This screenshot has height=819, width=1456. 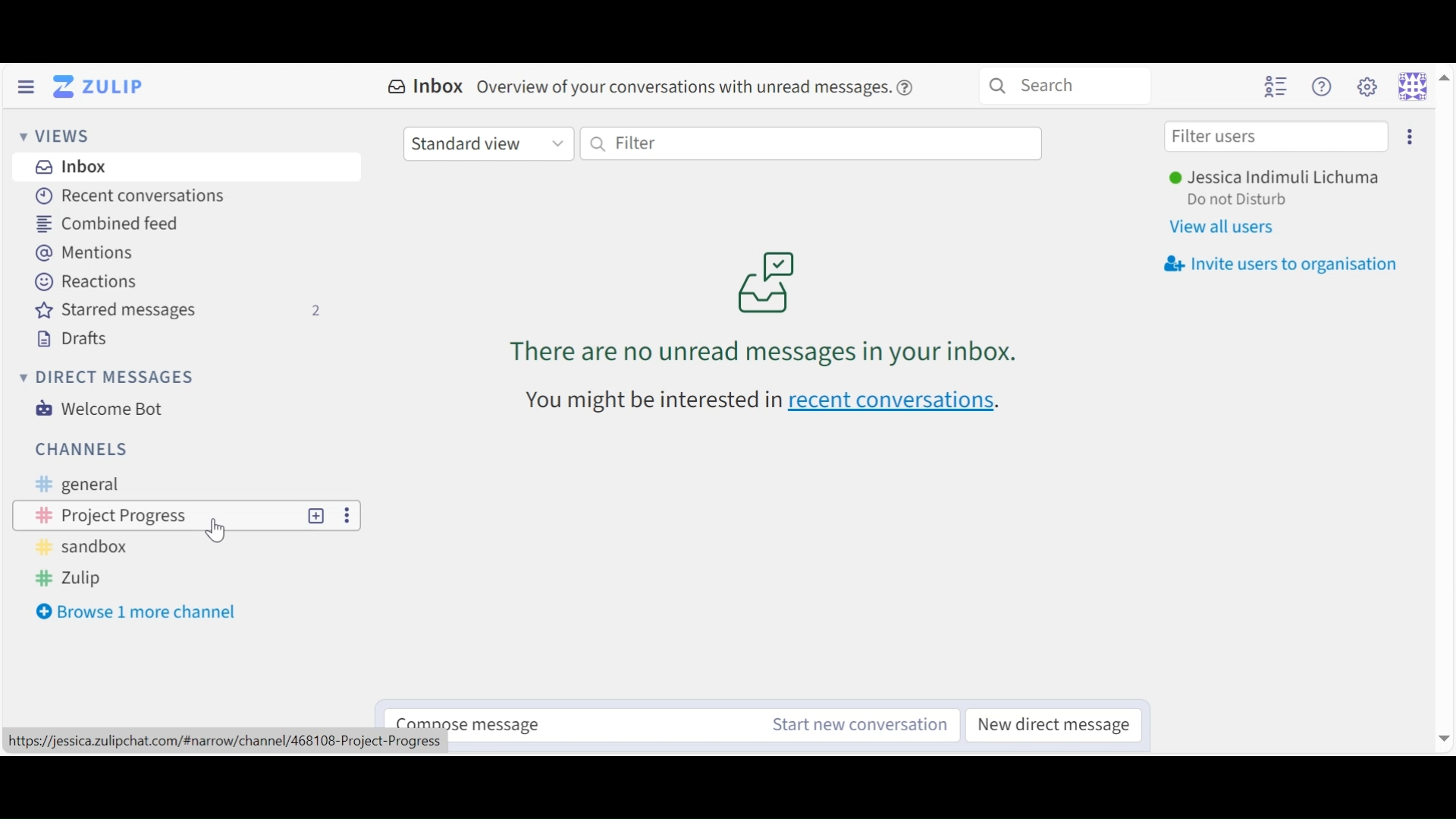 I want to click on # sandbox, so click(x=82, y=548).